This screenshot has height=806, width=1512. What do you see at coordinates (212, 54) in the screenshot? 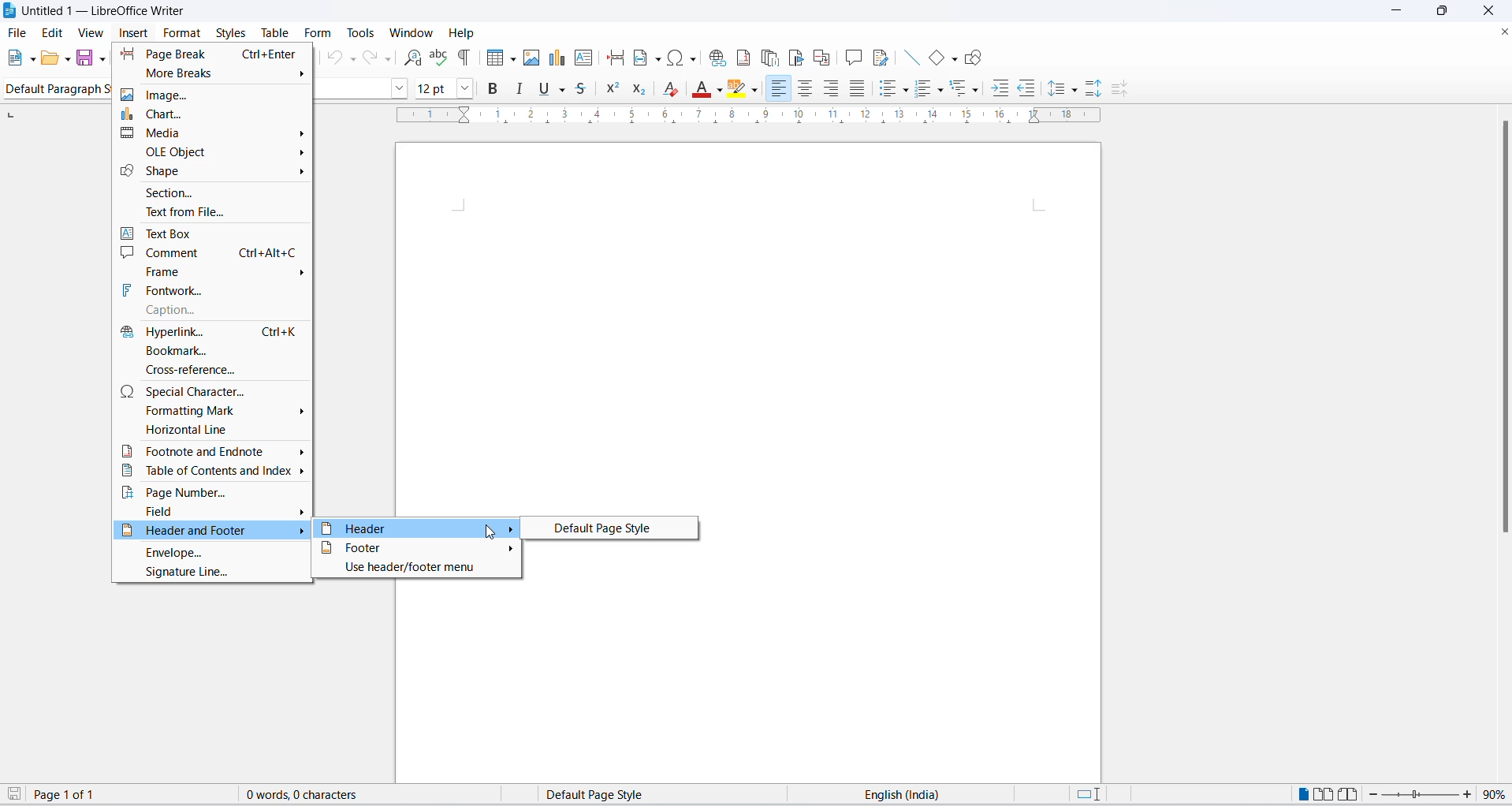
I see `page break` at bounding box center [212, 54].